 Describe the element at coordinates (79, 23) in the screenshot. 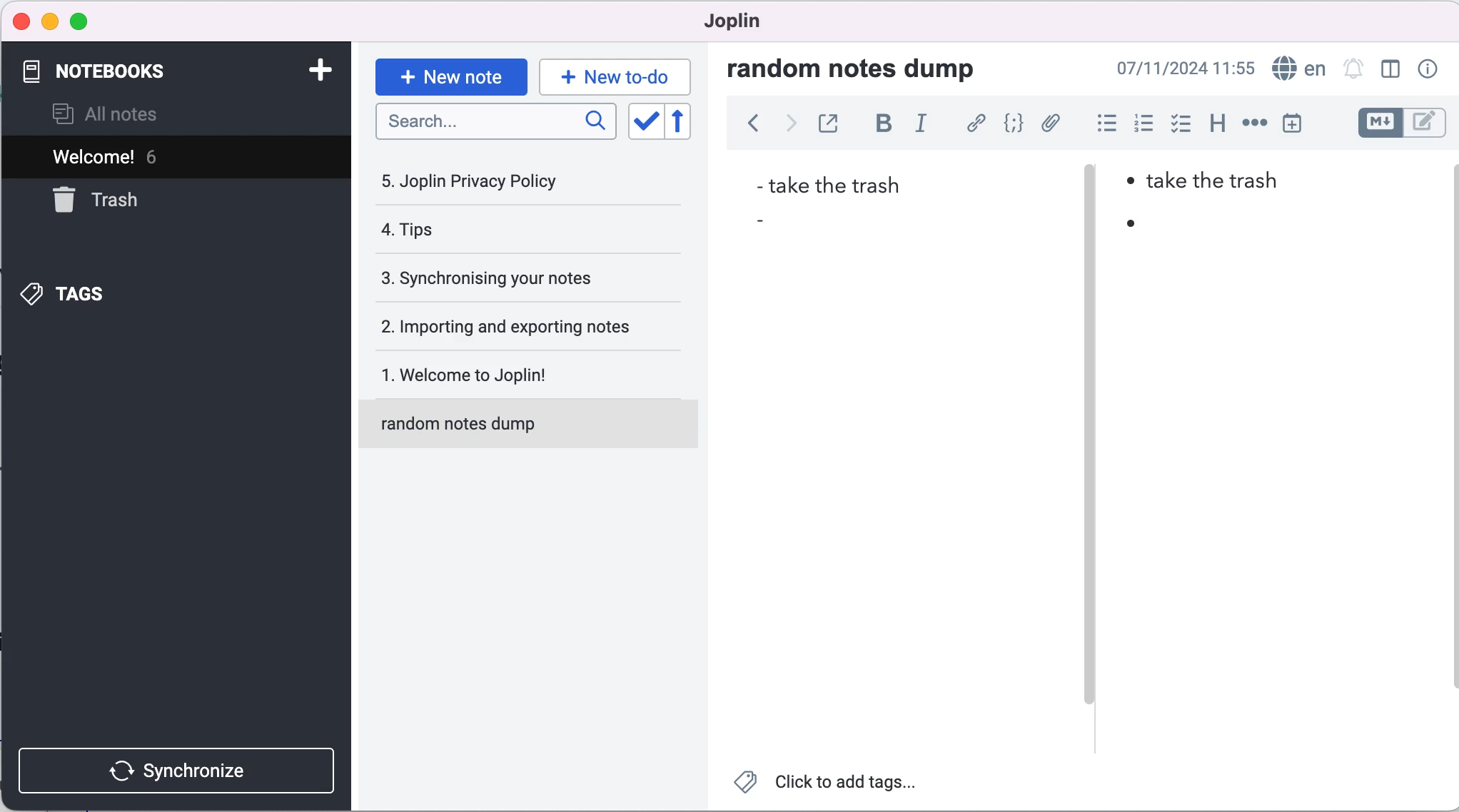

I see `maximize` at that location.